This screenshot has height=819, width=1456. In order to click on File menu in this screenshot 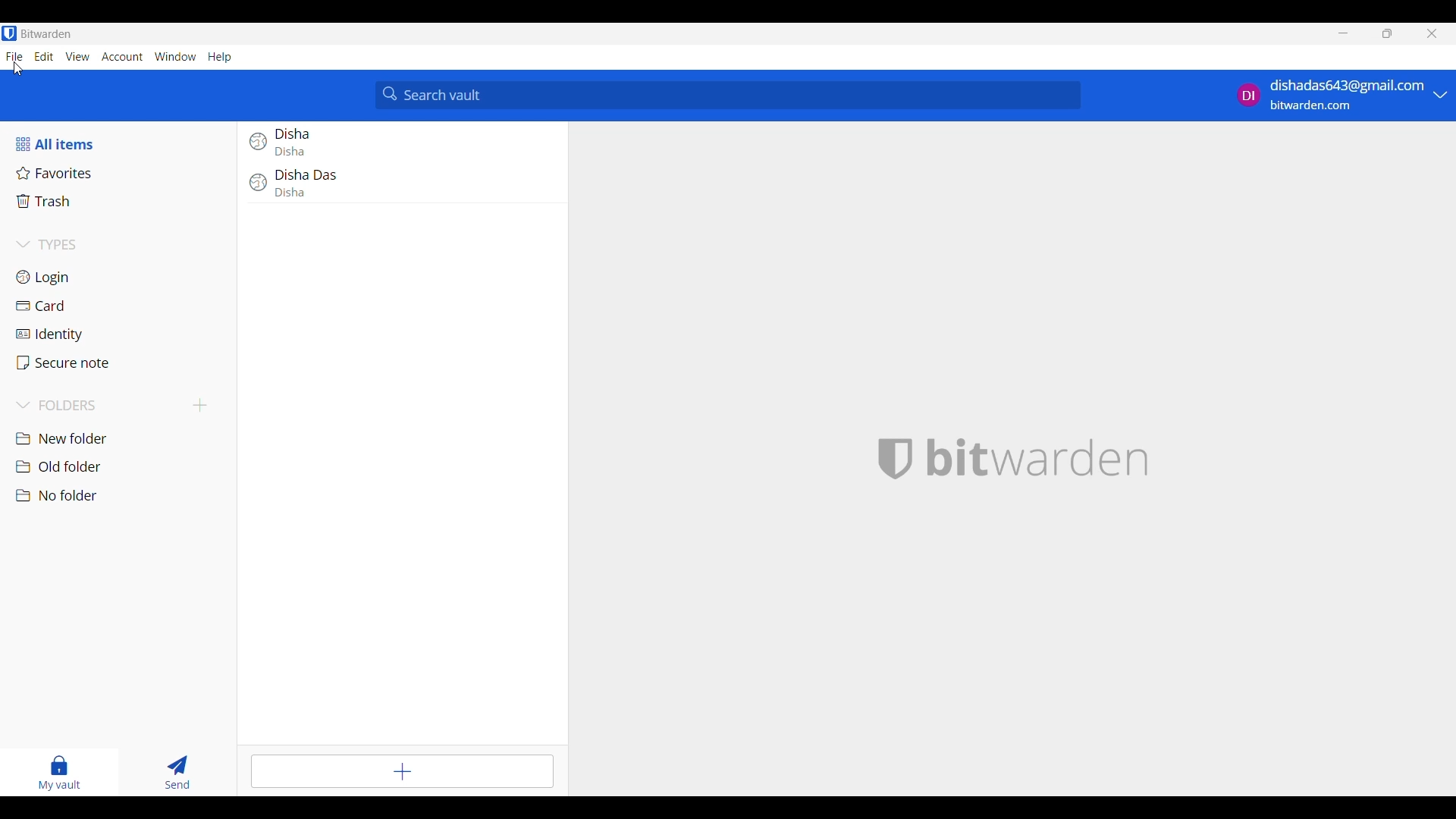, I will do `click(14, 56)`.